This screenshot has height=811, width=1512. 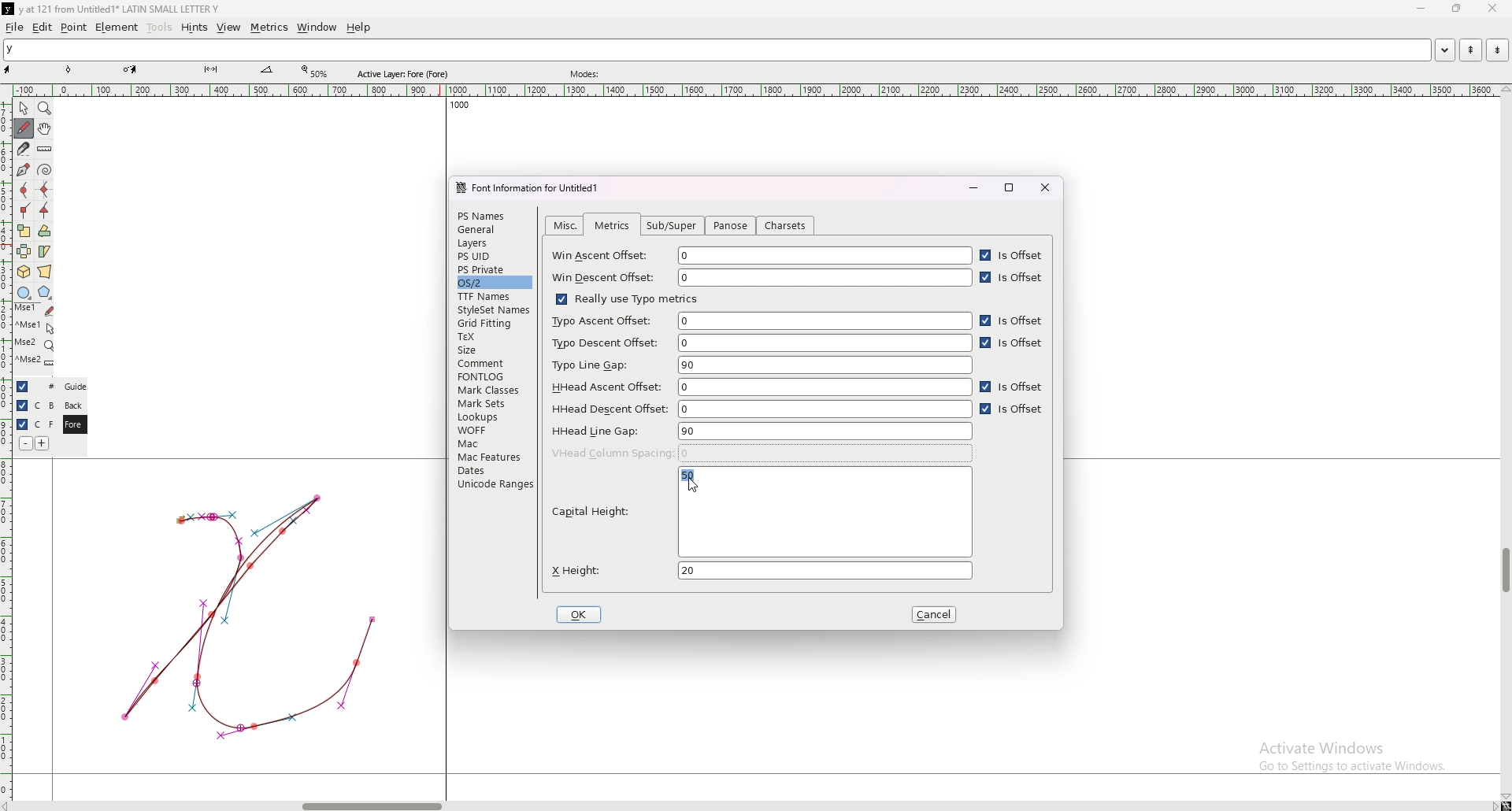 I want to click on circle or ellipse, so click(x=24, y=292).